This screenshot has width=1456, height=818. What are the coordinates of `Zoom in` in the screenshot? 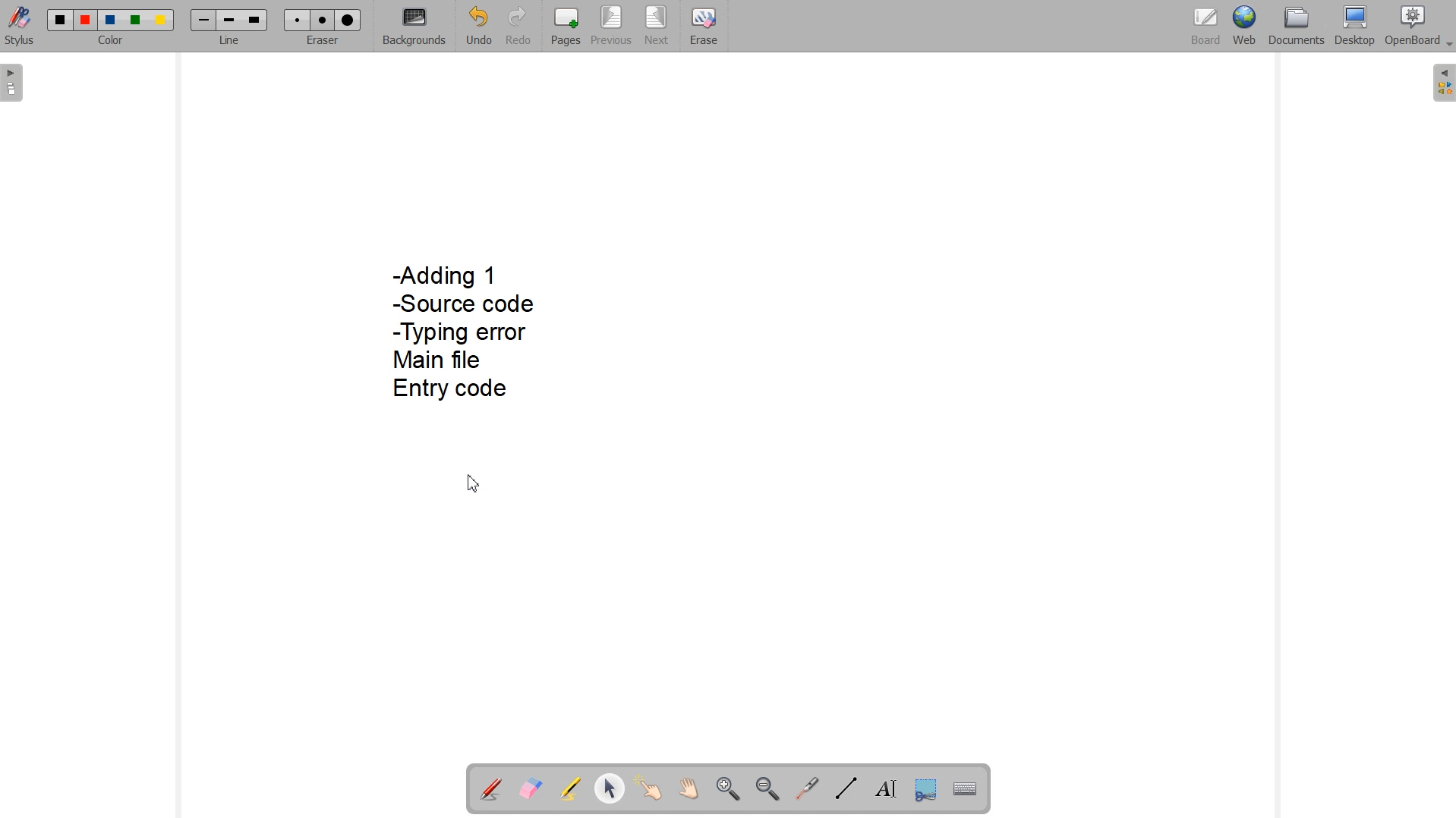 It's located at (726, 788).